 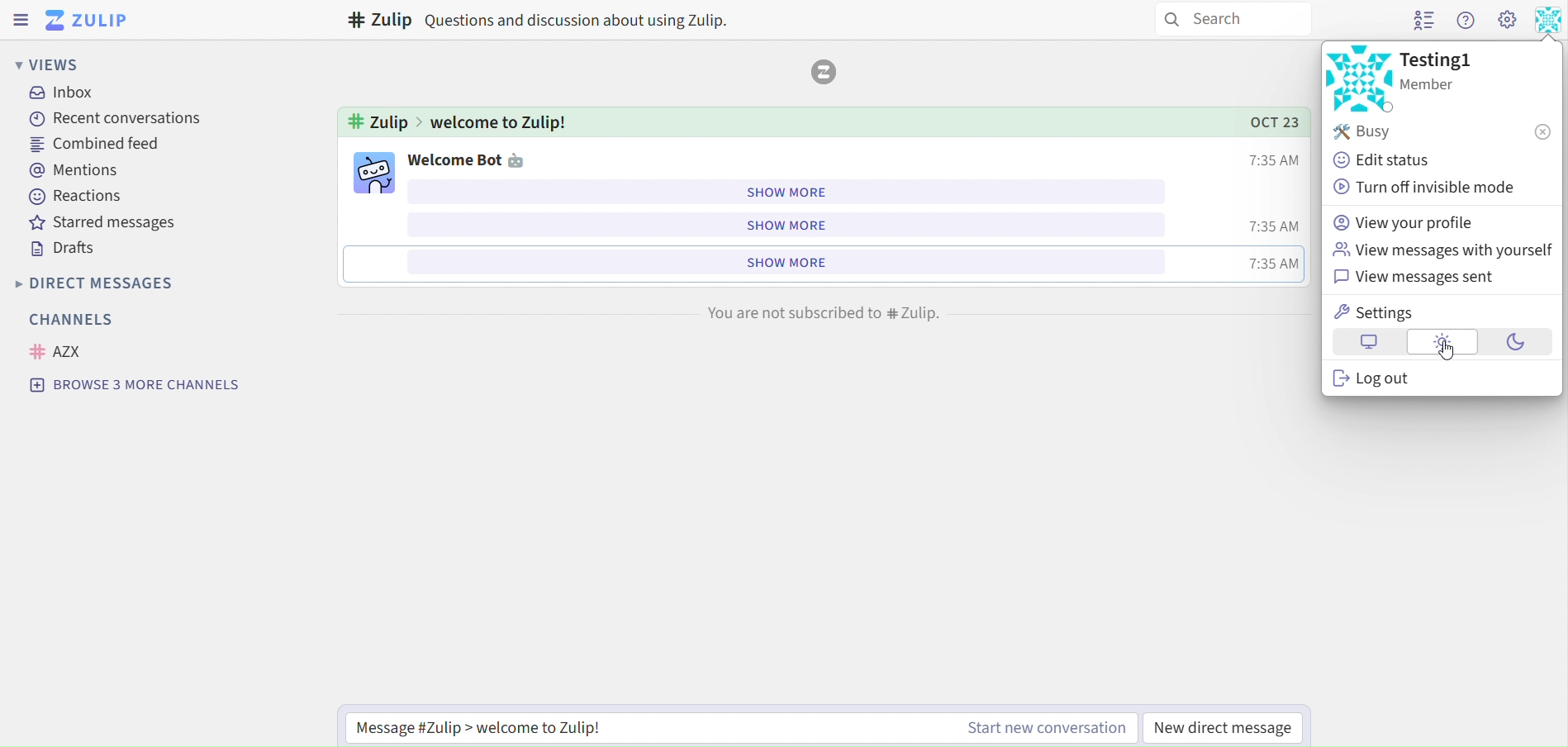 I want to click on reactions, so click(x=74, y=198).